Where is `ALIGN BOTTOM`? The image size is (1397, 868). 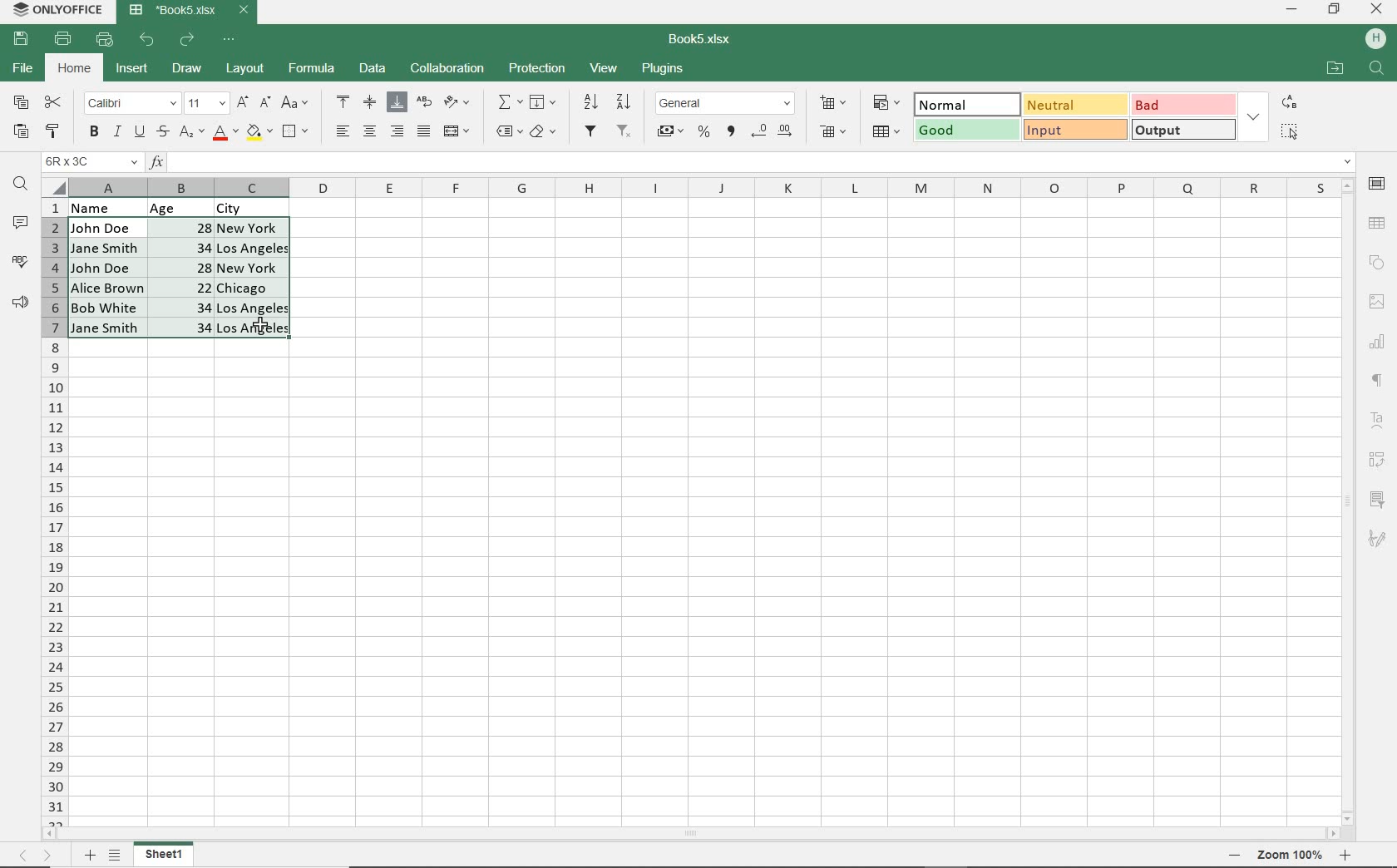 ALIGN BOTTOM is located at coordinates (397, 102).